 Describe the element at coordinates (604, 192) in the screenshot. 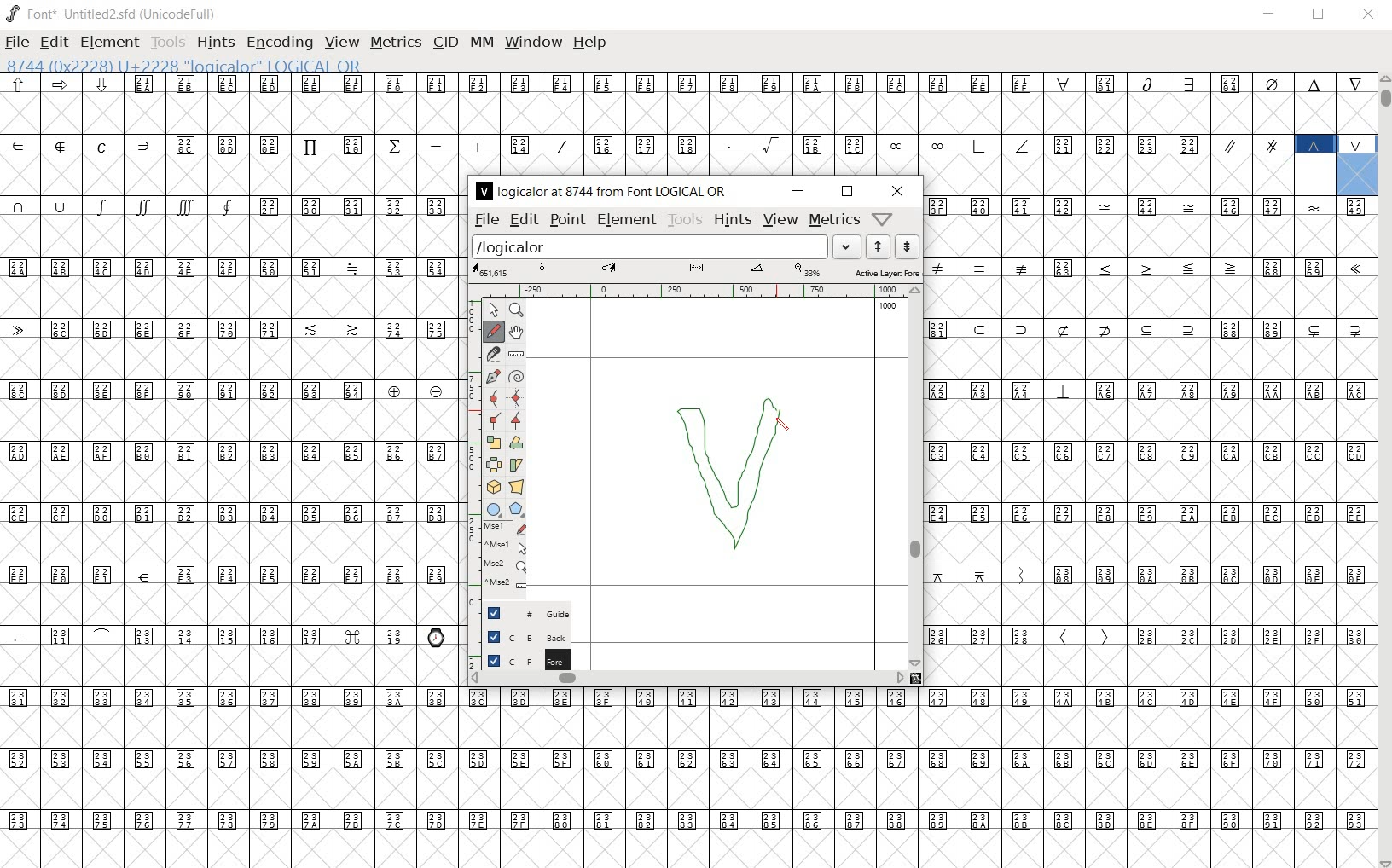

I see `logicalor at 8744 from Font LOGICAL OR` at that location.